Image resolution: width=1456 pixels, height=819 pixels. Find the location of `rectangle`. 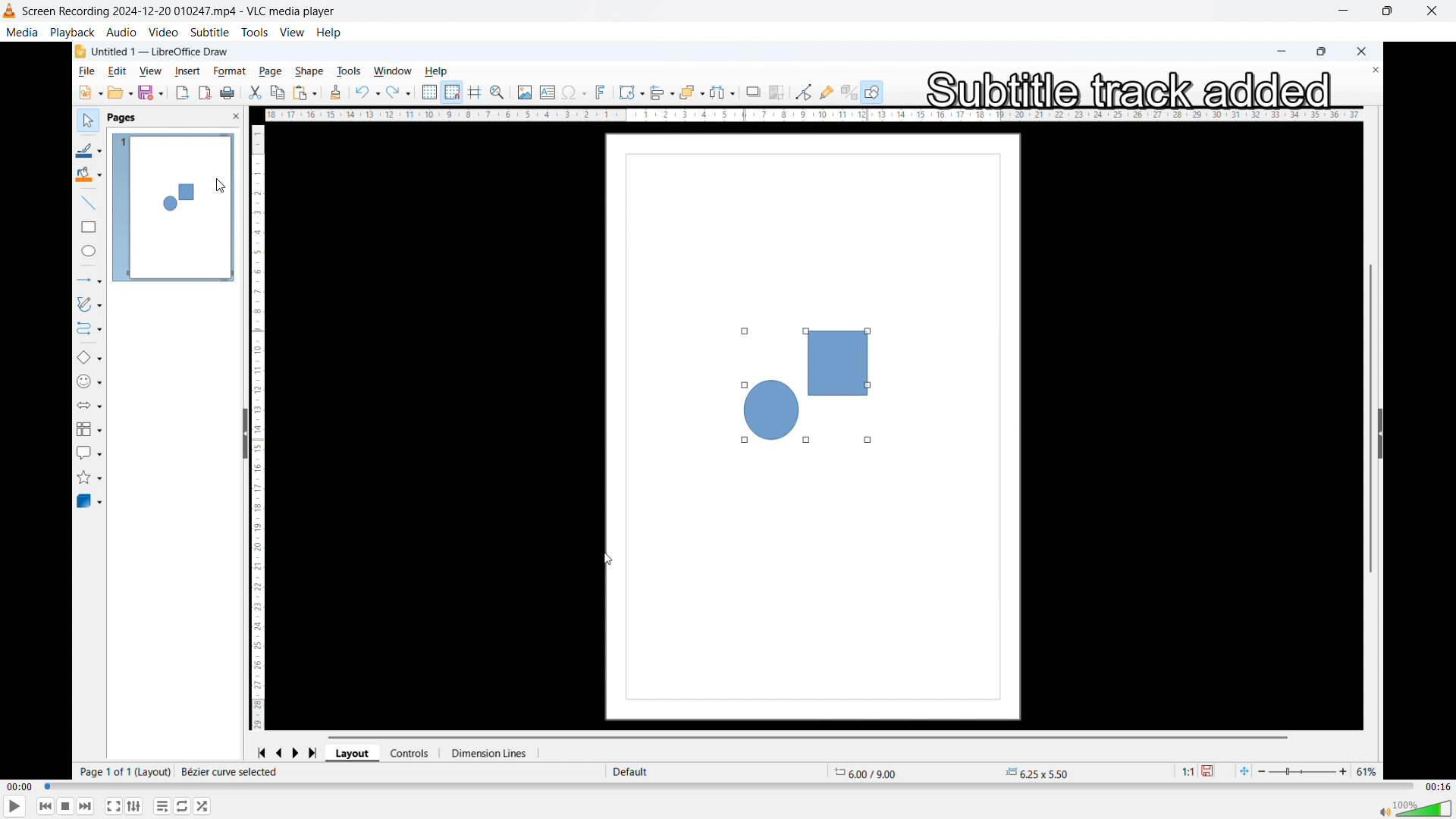

rectangle is located at coordinates (85, 229).